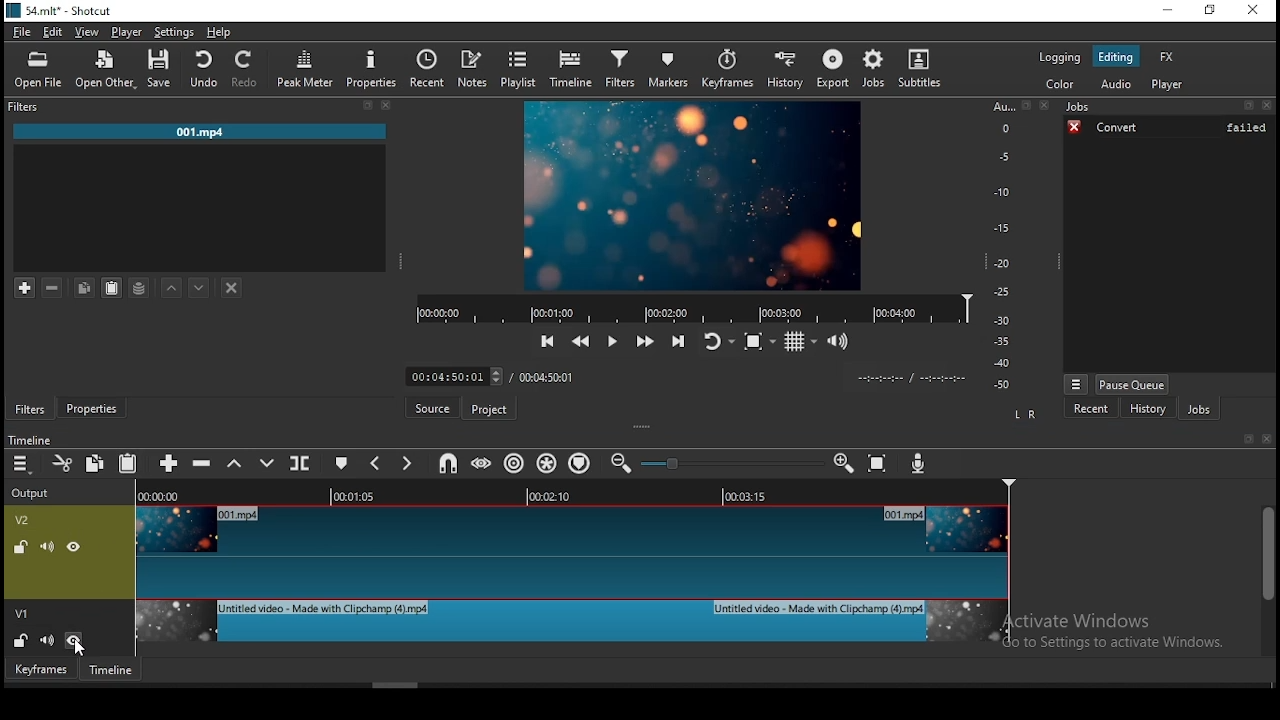 This screenshot has width=1280, height=720. Describe the element at coordinates (1167, 56) in the screenshot. I see `fx` at that location.